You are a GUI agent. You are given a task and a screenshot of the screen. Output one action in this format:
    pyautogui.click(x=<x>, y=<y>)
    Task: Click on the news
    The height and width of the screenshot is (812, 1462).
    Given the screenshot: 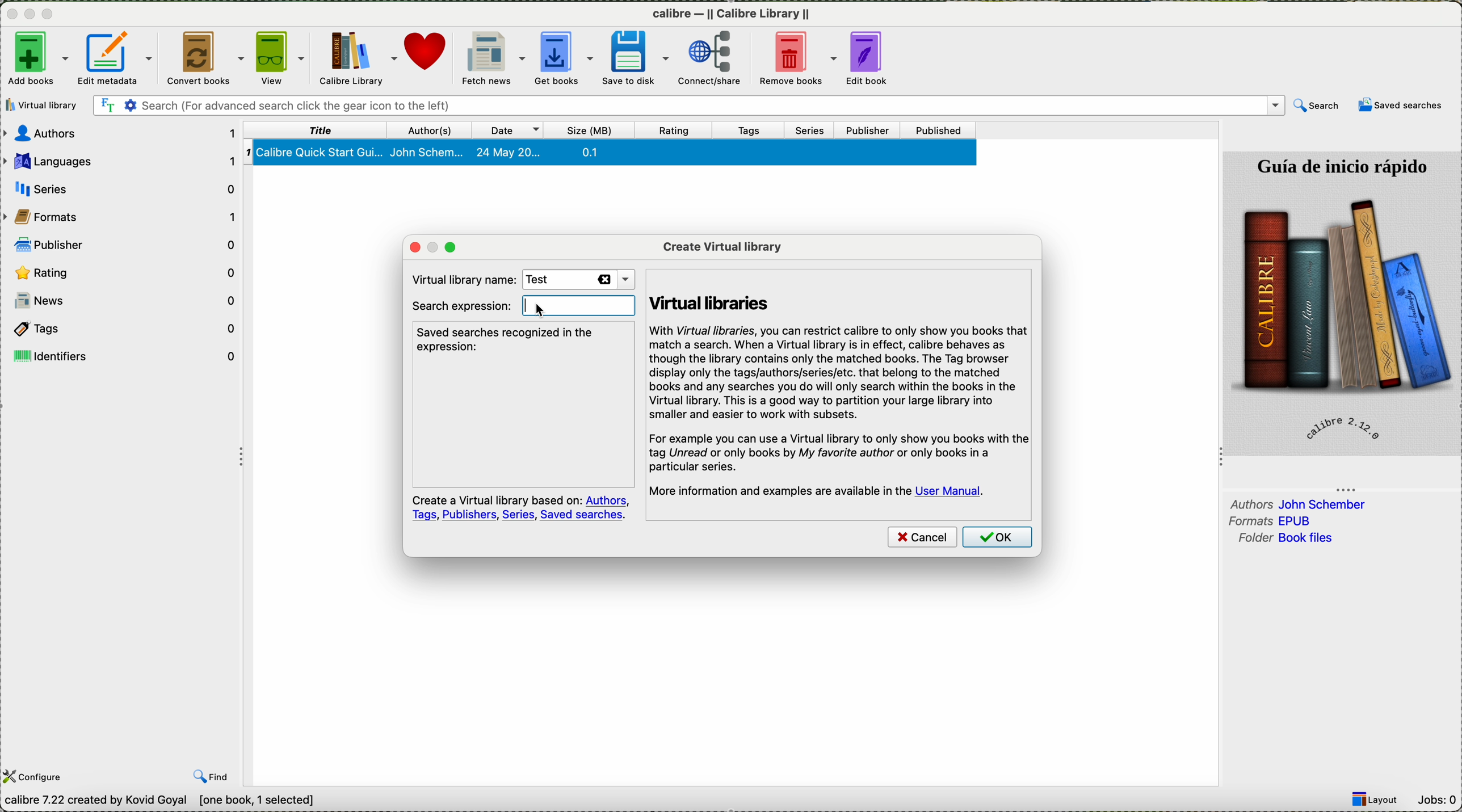 What is the action you would take?
    pyautogui.click(x=125, y=303)
    